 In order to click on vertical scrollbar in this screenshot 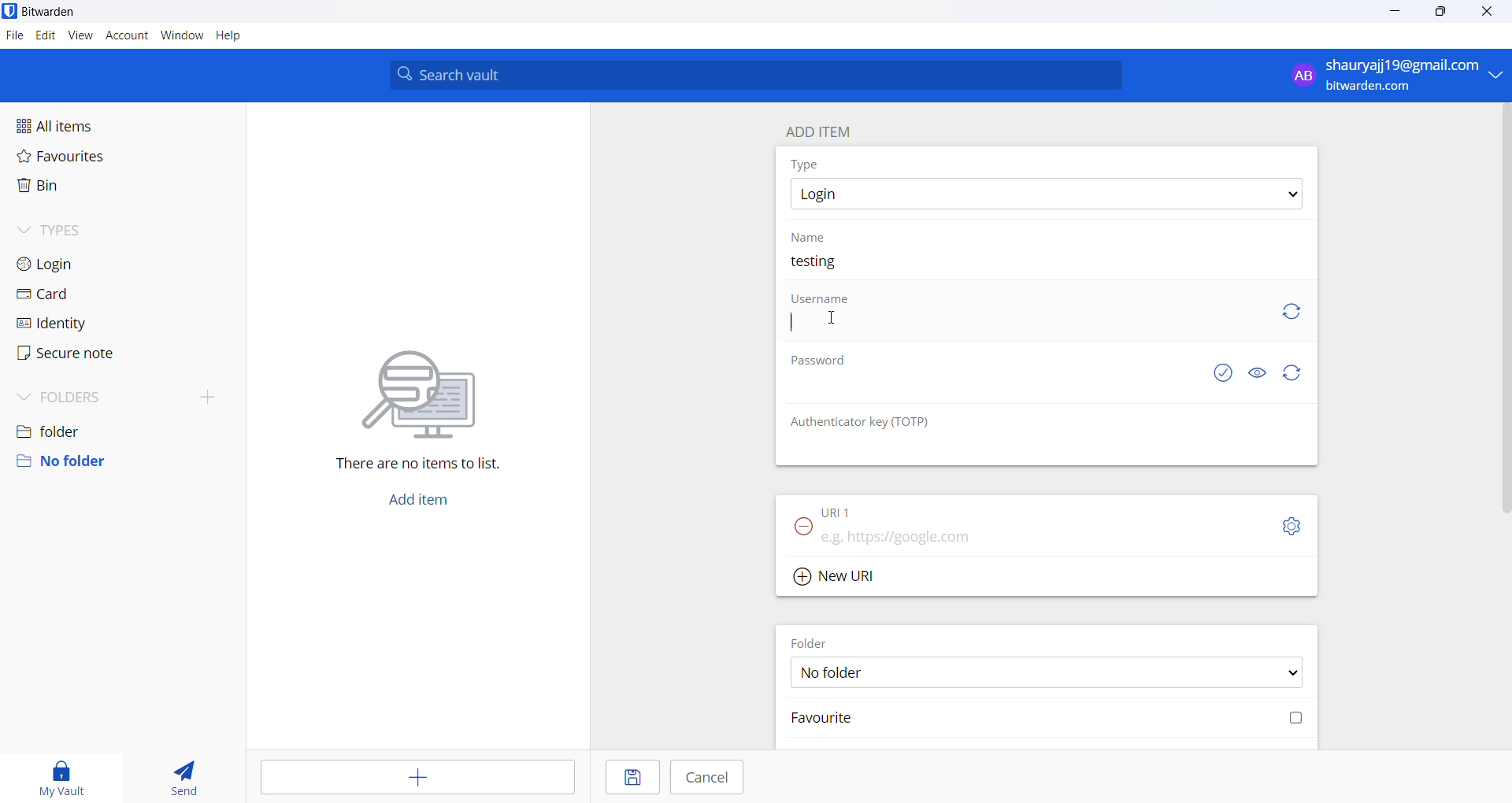, I will do `click(1503, 309)`.